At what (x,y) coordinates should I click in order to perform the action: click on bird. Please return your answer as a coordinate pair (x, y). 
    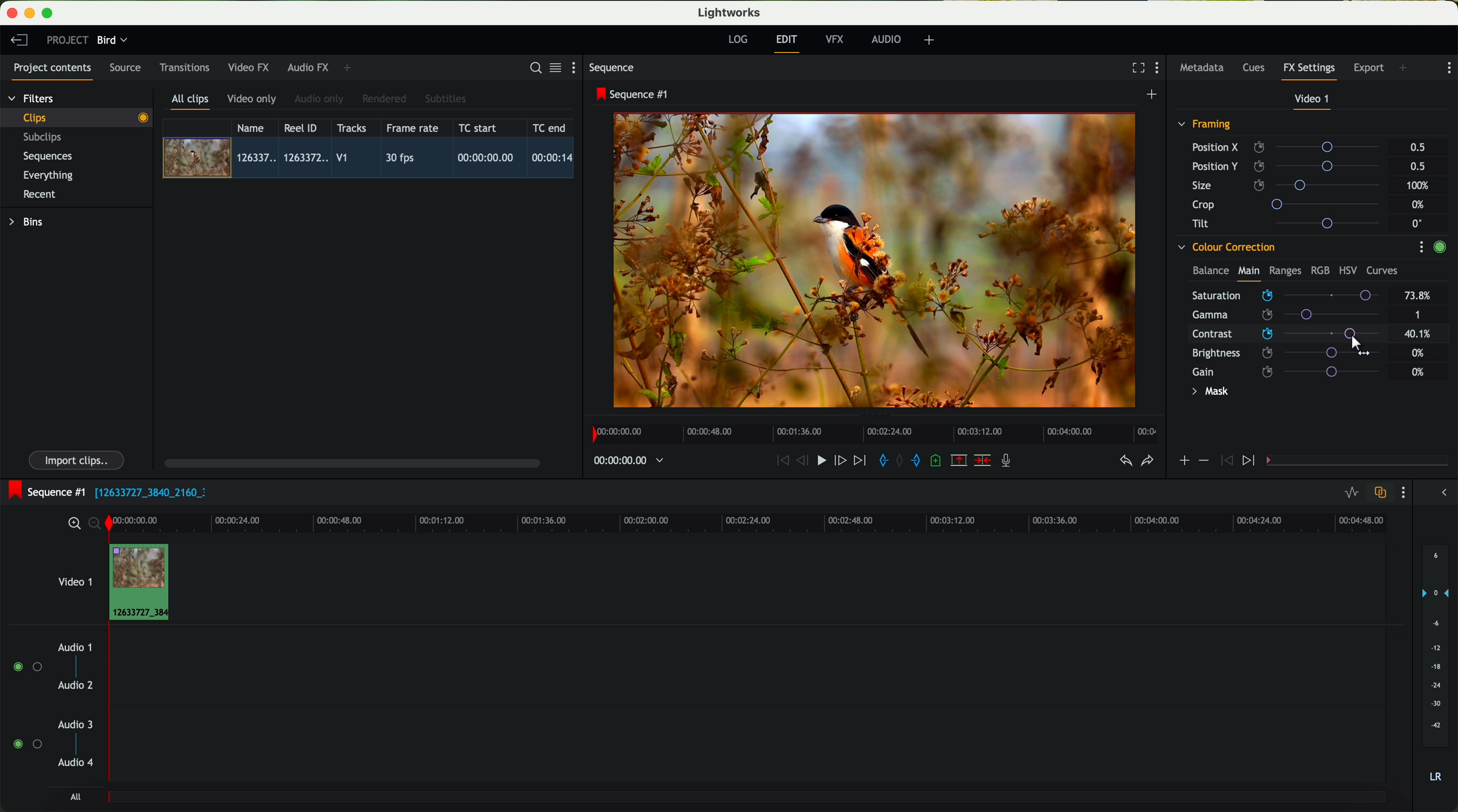
    Looking at the image, I should click on (112, 41).